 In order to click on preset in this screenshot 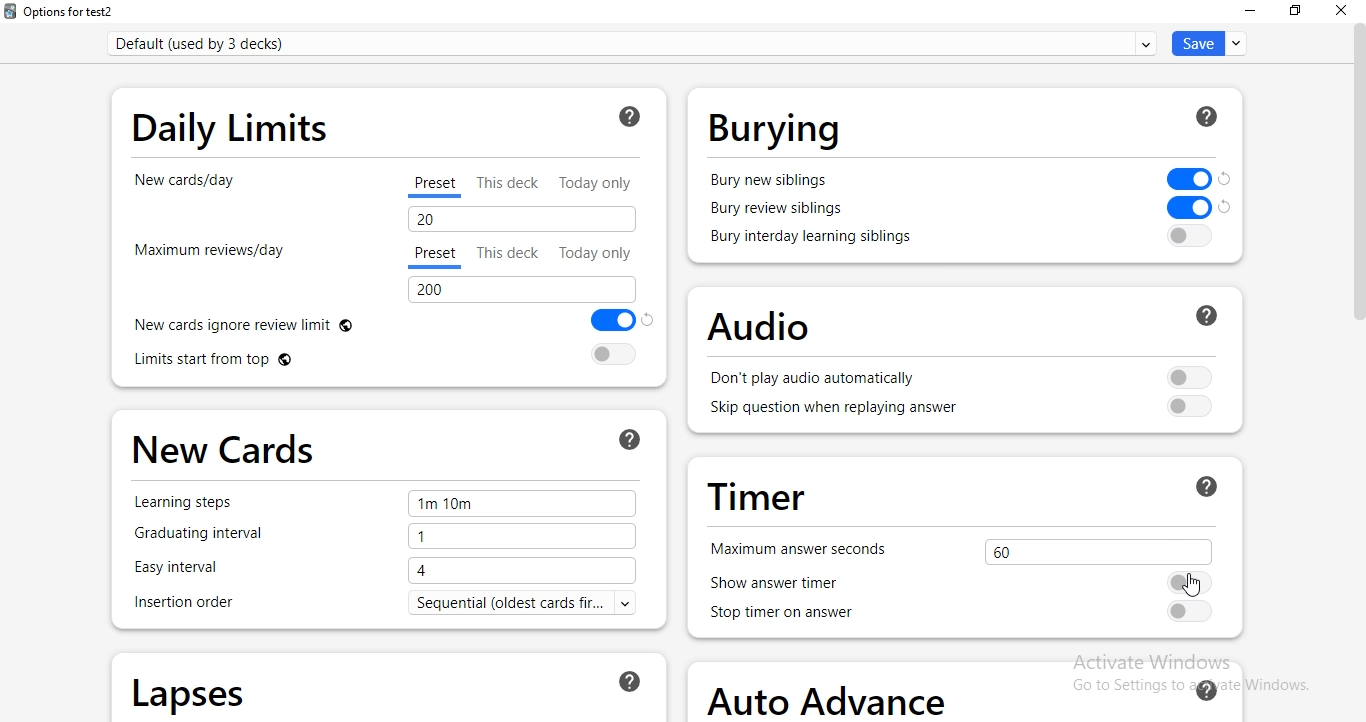, I will do `click(434, 187)`.